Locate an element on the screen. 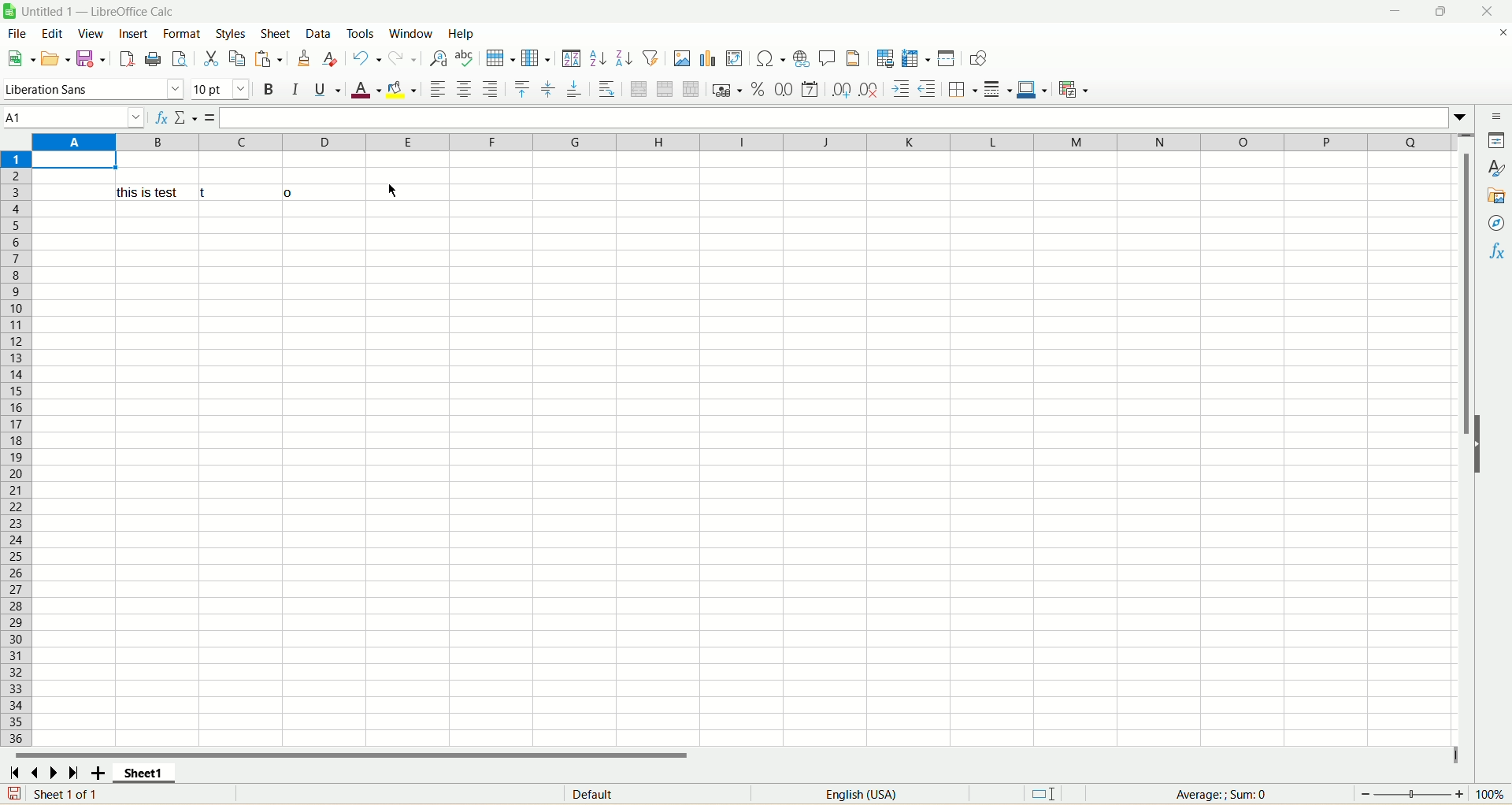  scroll to last sheet is located at coordinates (70, 769).